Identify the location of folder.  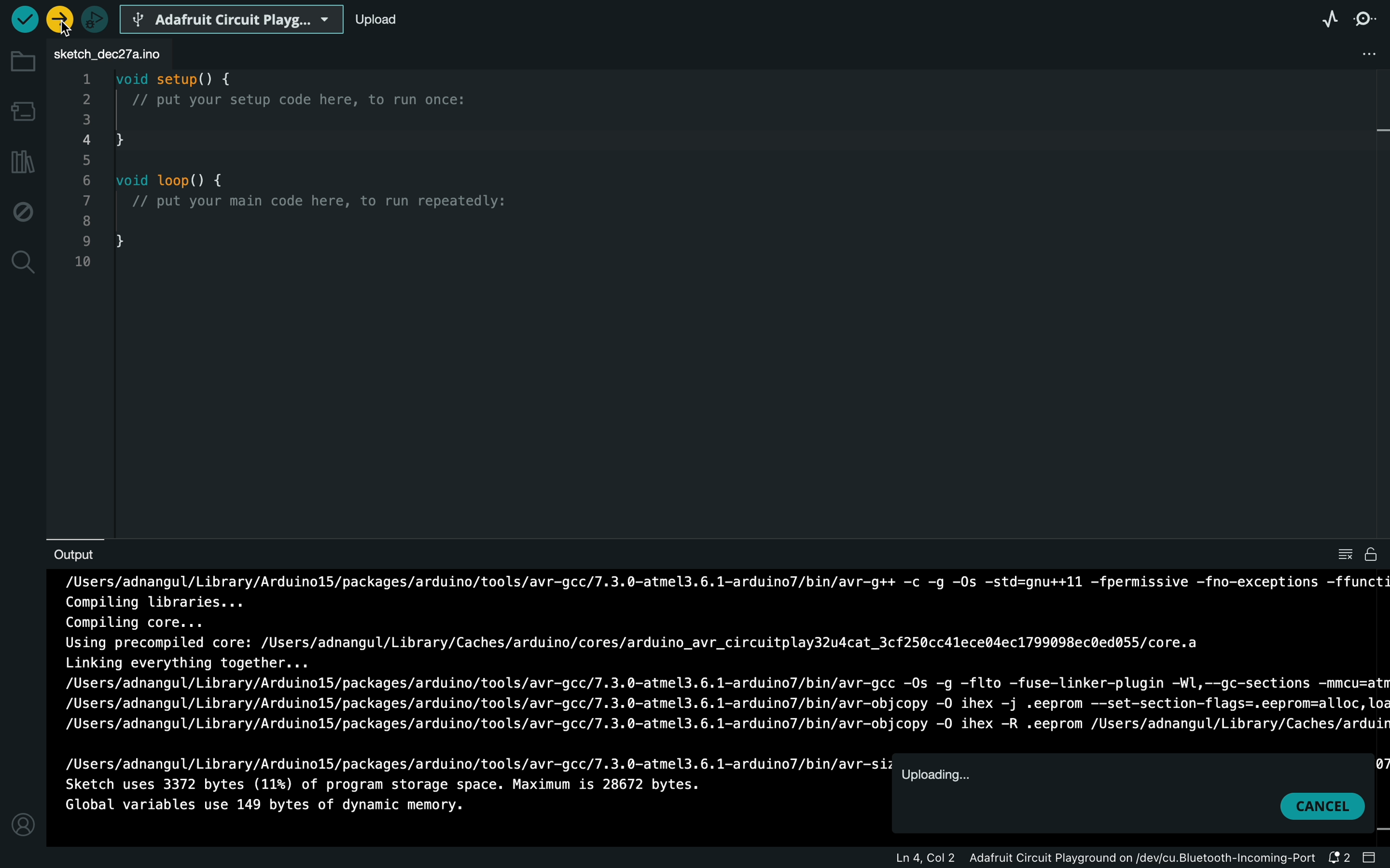
(24, 63).